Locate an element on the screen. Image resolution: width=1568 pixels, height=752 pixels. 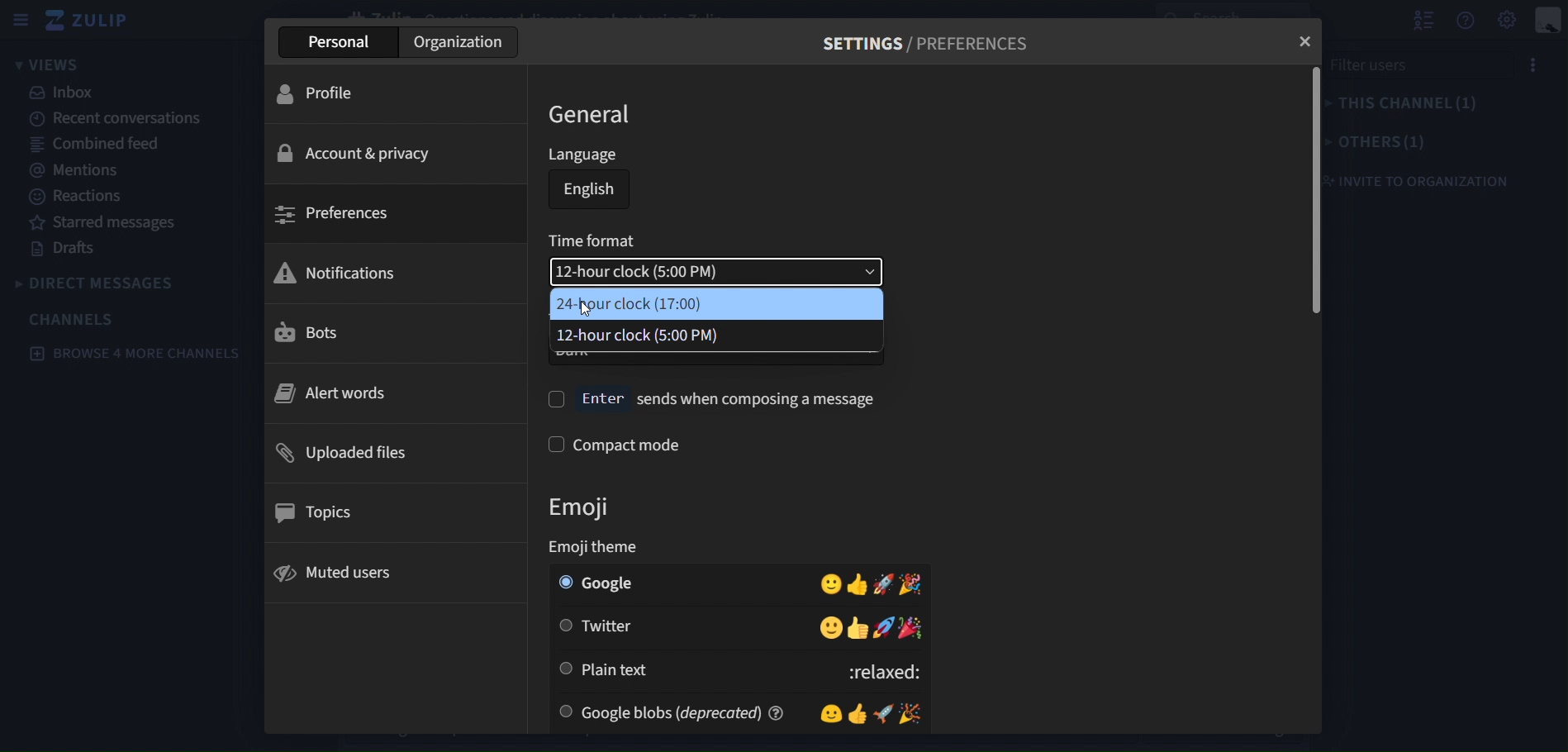
google blobs(deprecated) is located at coordinates (659, 712).